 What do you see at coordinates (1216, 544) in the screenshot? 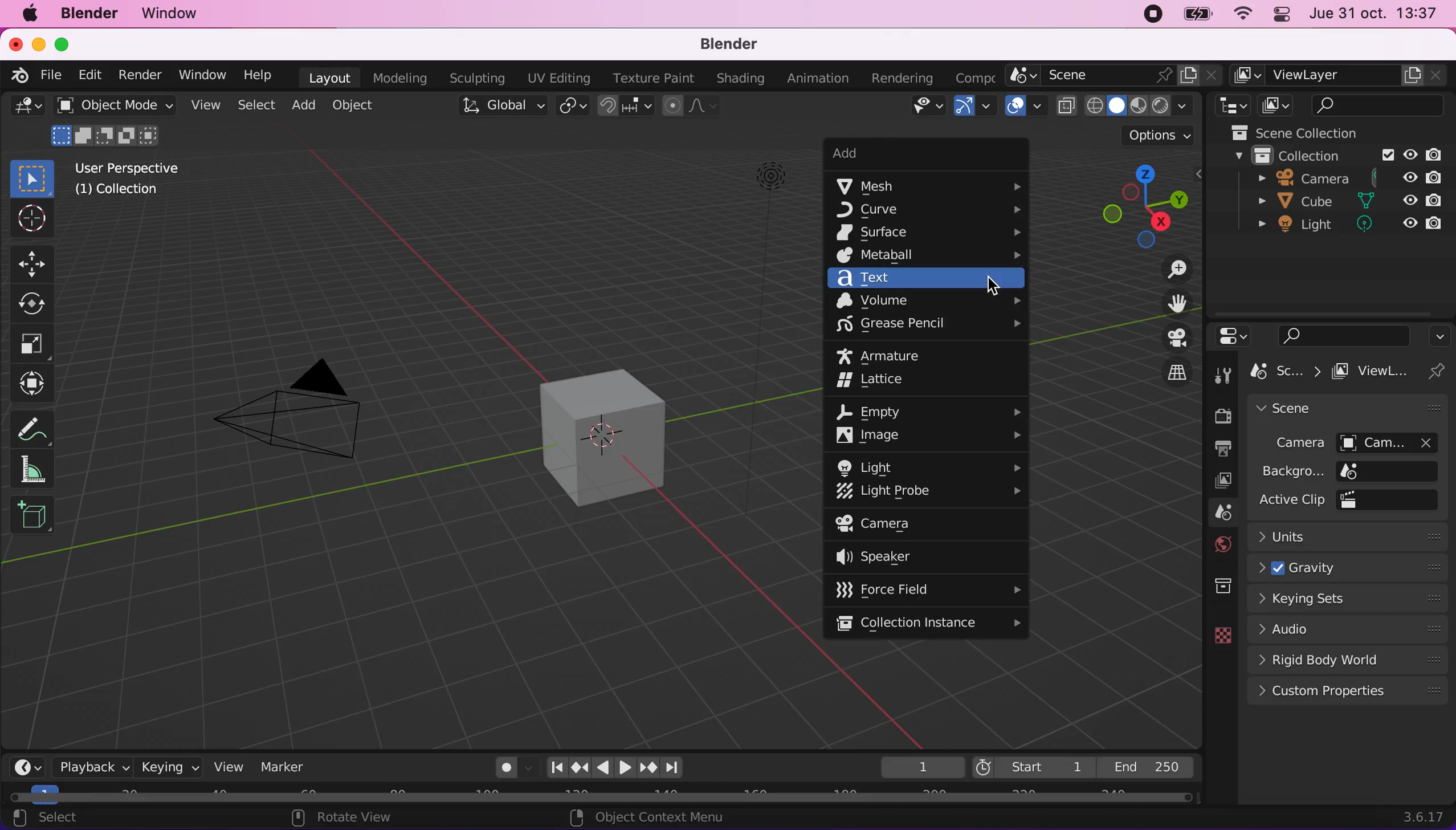
I see `world` at bounding box center [1216, 544].